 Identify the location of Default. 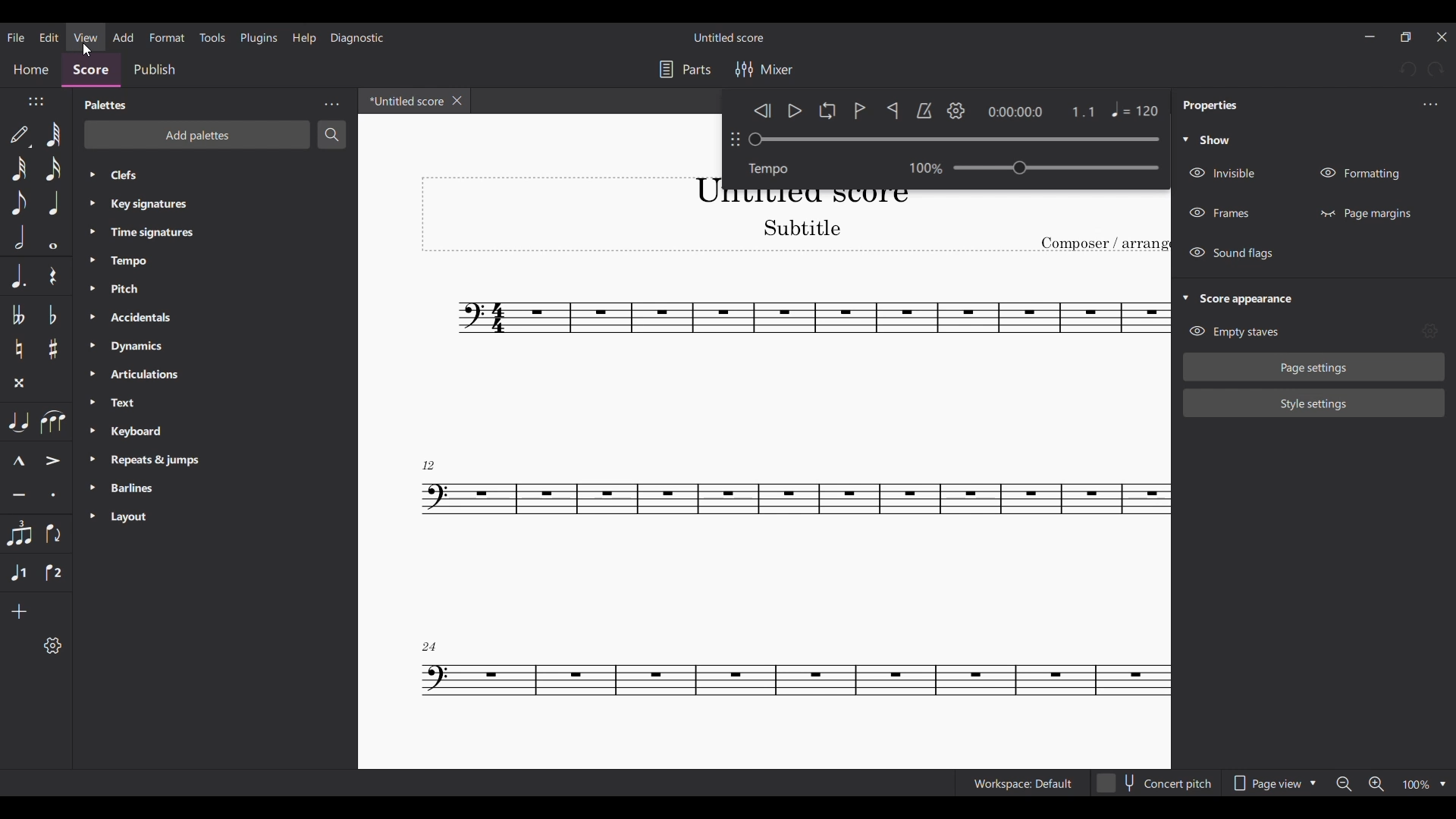
(20, 136).